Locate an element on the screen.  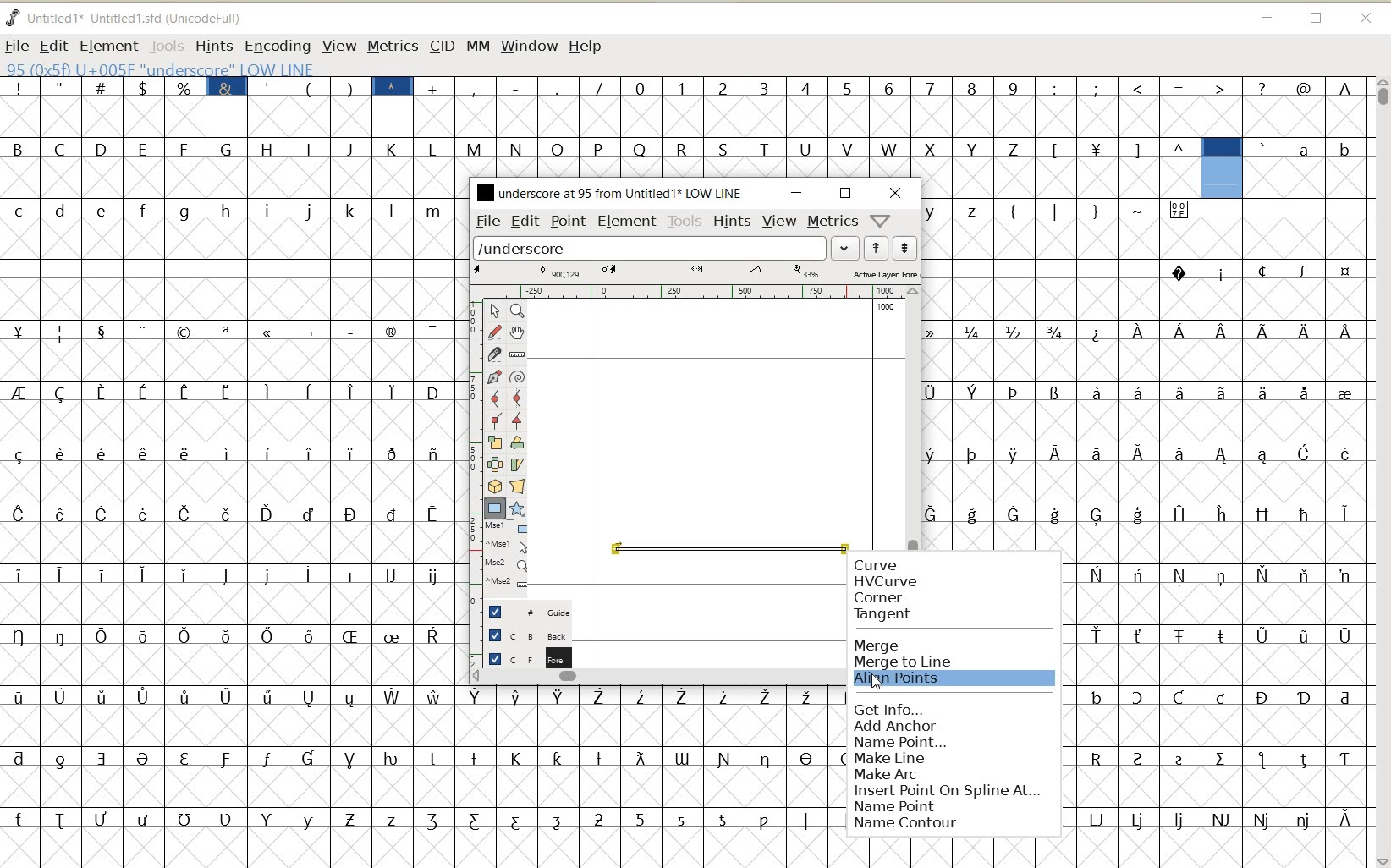
BACKGROUND is located at coordinates (522, 635).